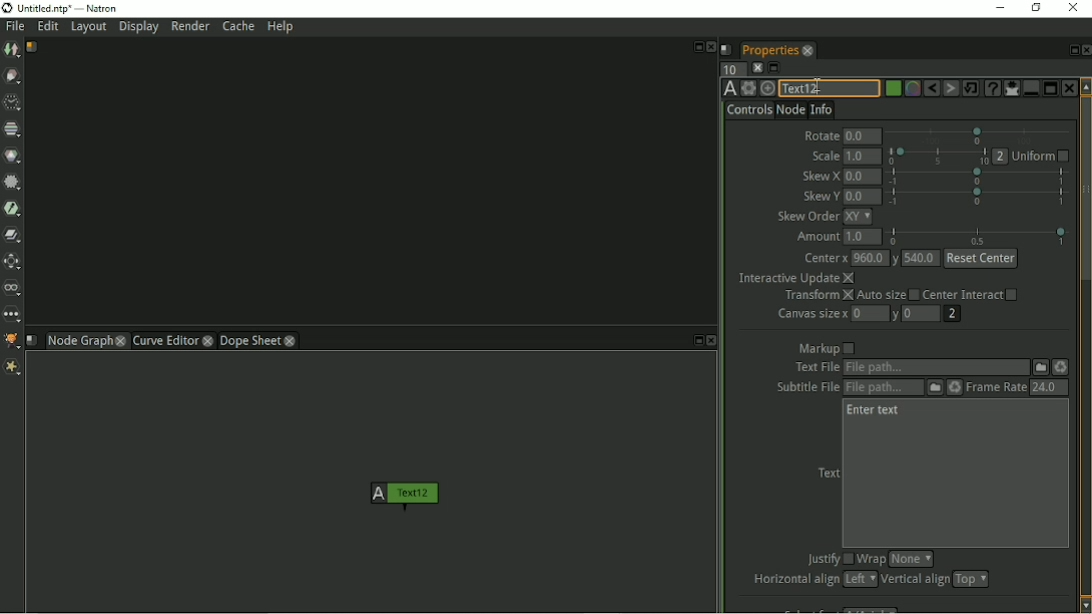 Image resolution: width=1092 pixels, height=614 pixels. Describe the element at coordinates (922, 258) in the screenshot. I see `540` at that location.